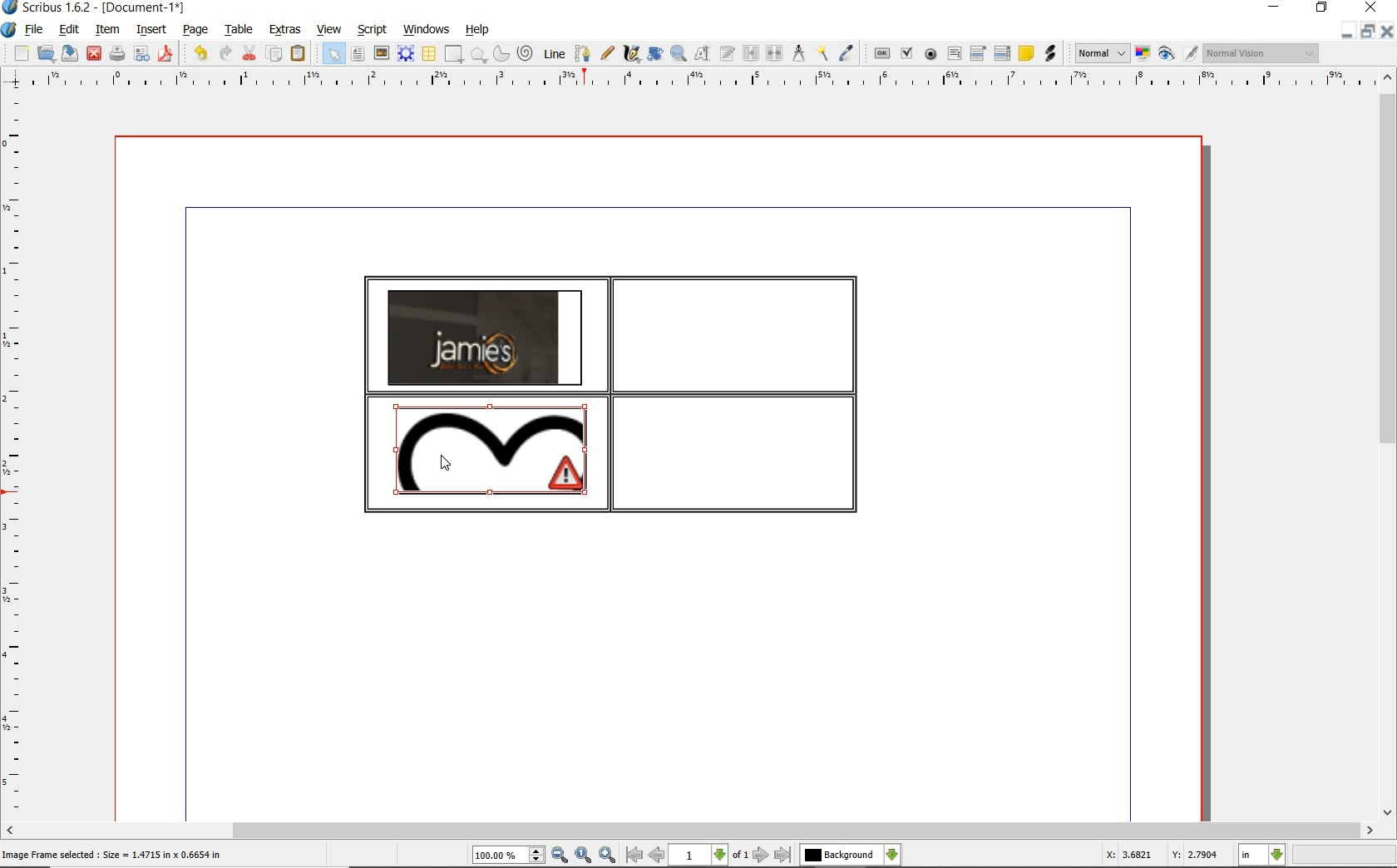  What do you see at coordinates (491, 451) in the screenshot?
I see `image added` at bounding box center [491, 451].